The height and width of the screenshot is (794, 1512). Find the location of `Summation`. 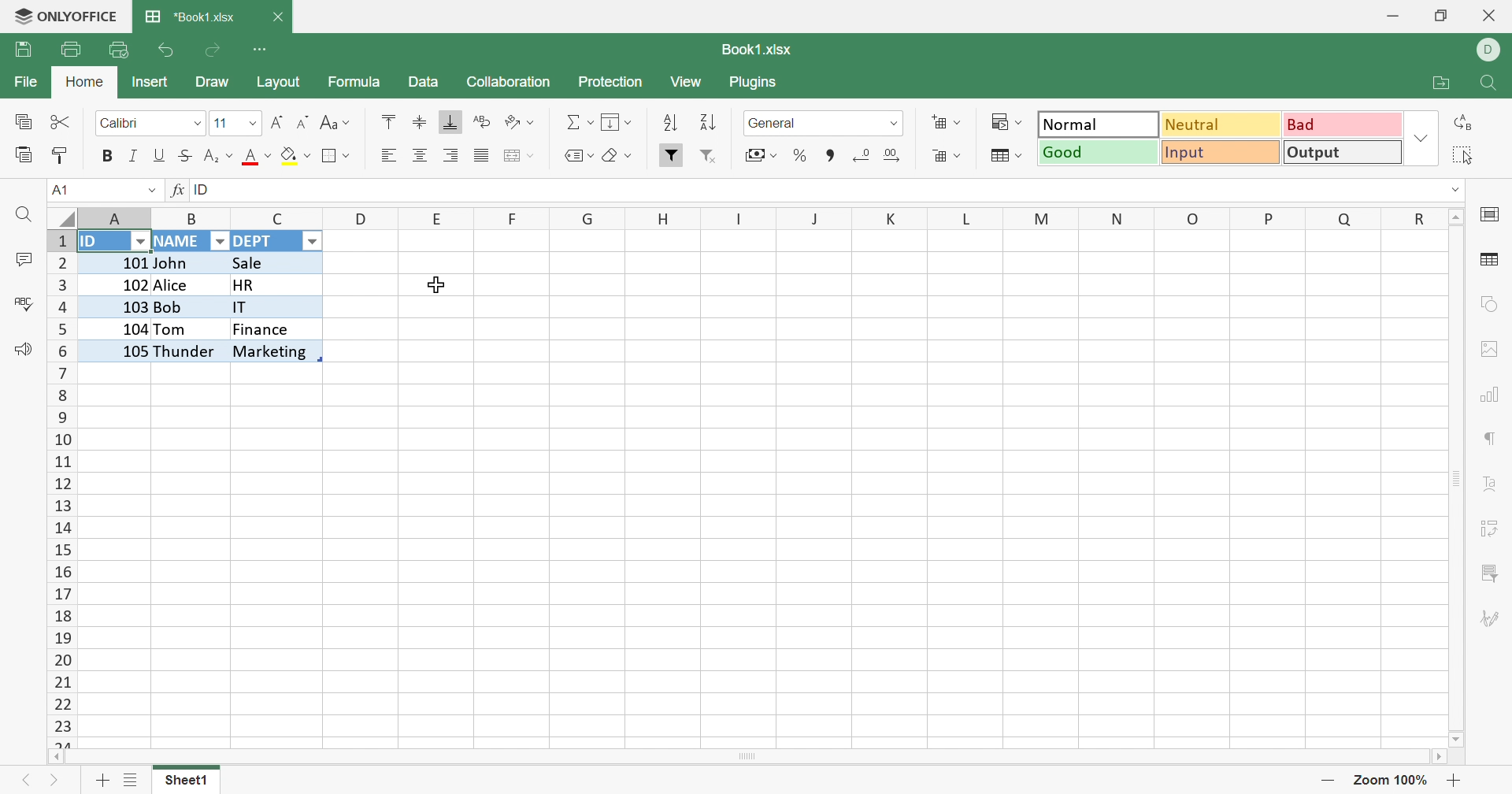

Summation is located at coordinates (573, 121).